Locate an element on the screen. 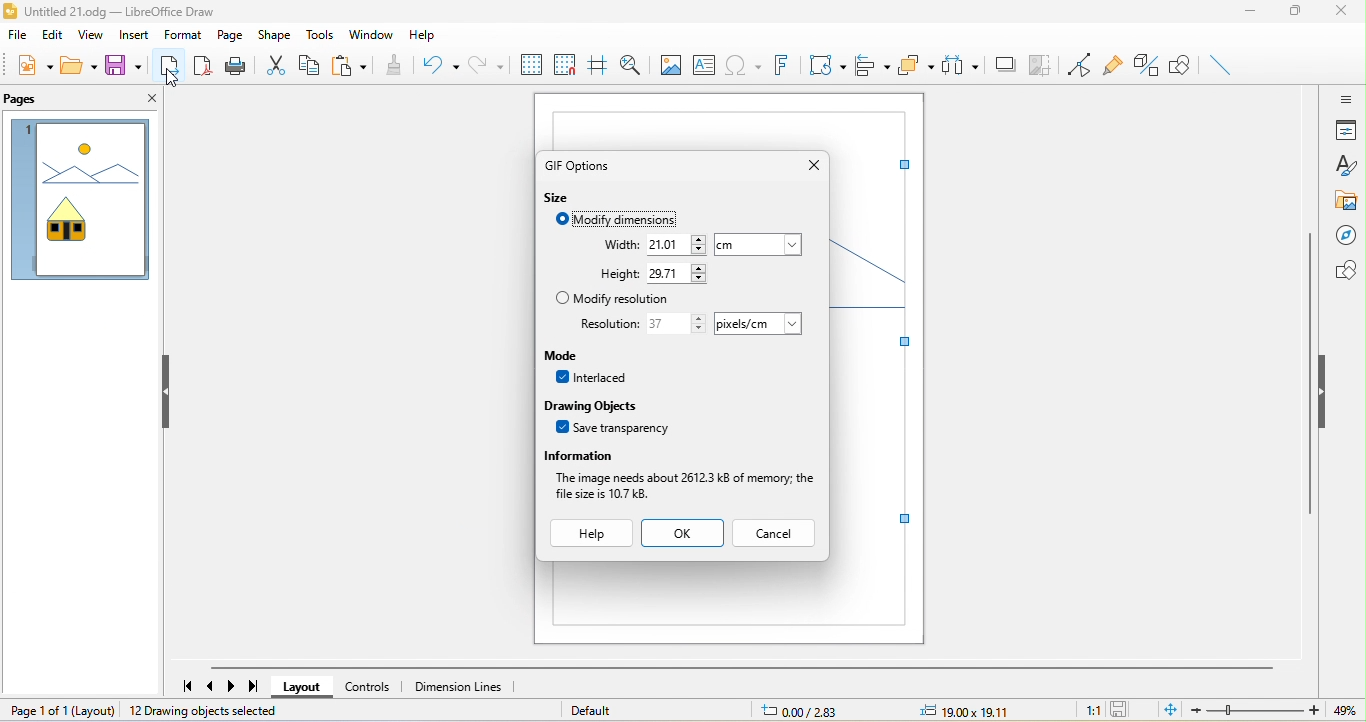 The height and width of the screenshot is (722, 1366). undo is located at coordinates (440, 65).